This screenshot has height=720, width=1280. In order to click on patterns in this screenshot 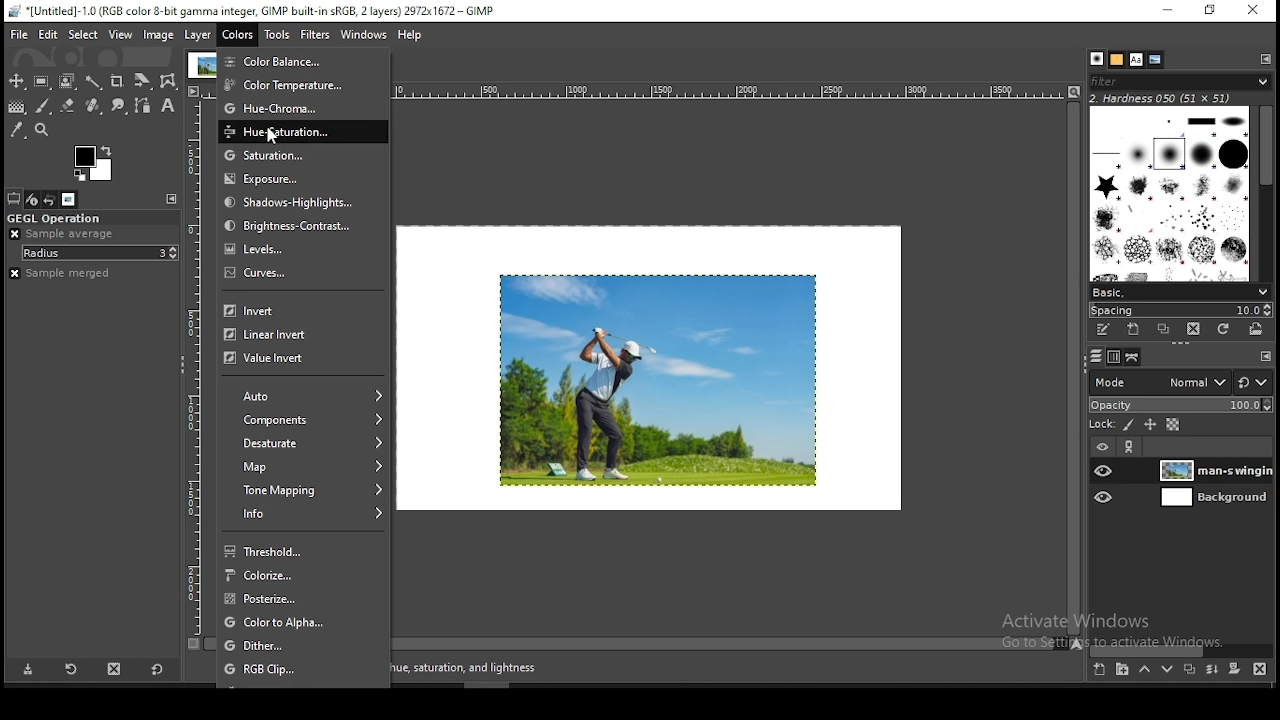, I will do `click(1117, 61)`.